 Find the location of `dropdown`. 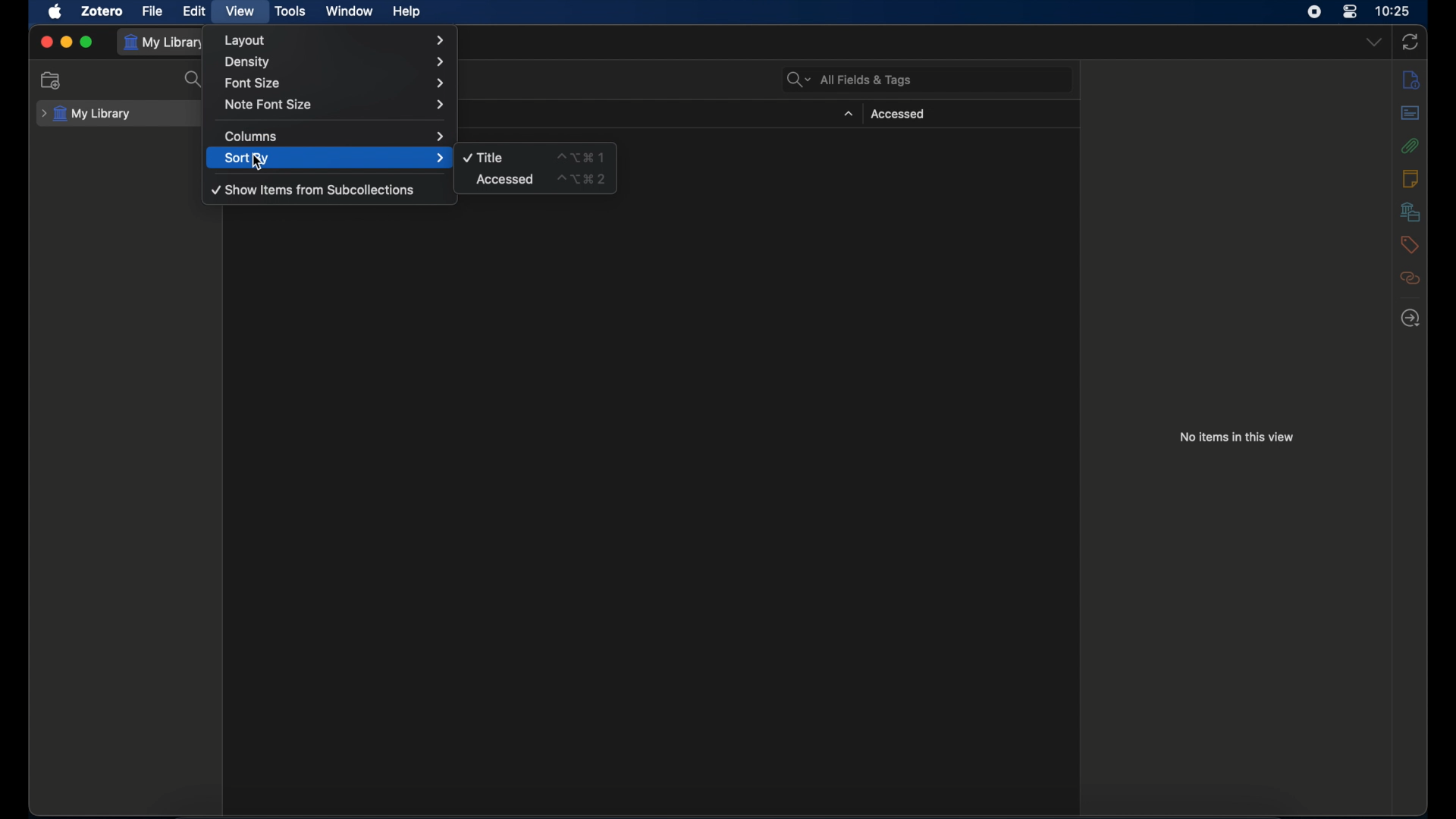

dropdown is located at coordinates (1373, 42).